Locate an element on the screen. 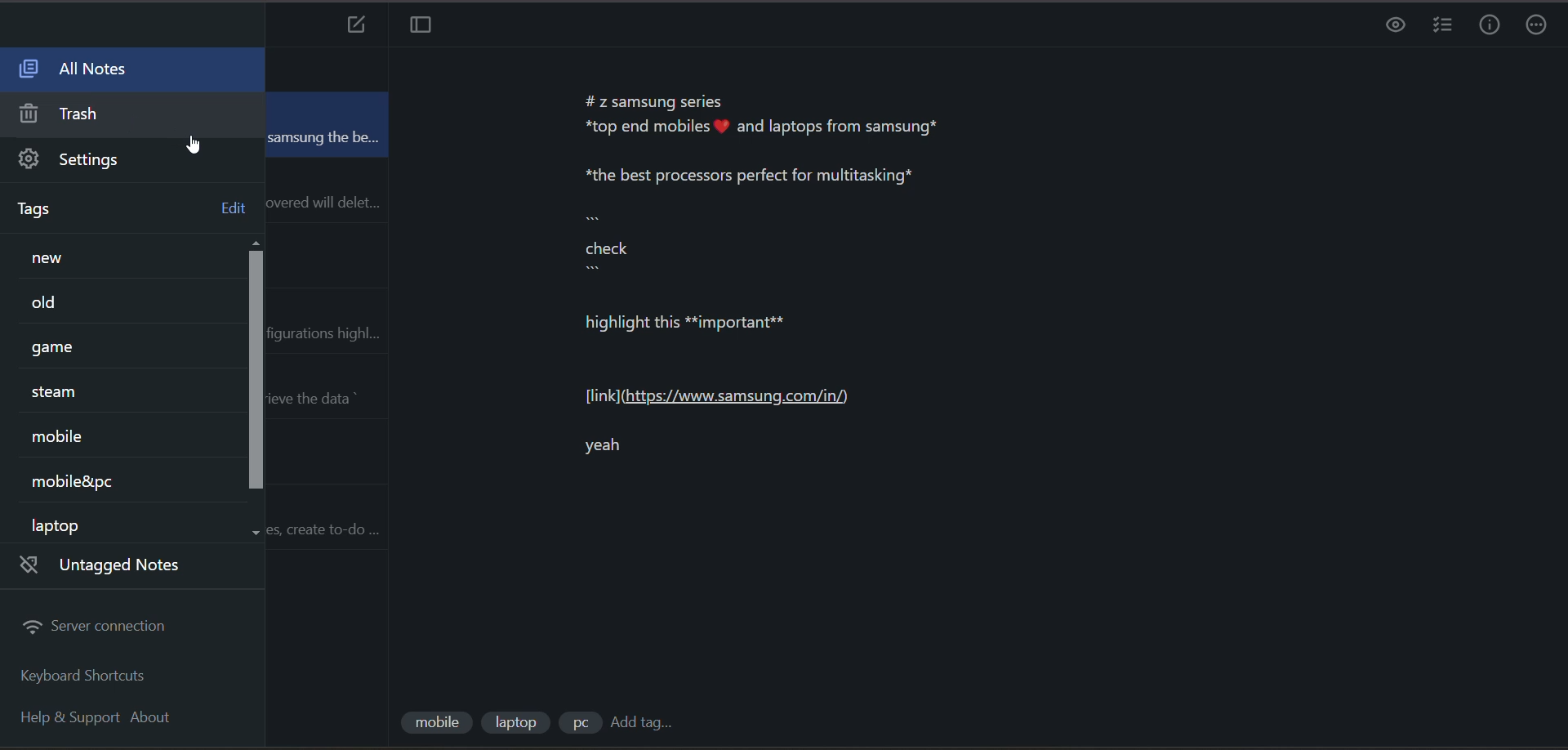 The height and width of the screenshot is (750, 1568). tag 7 is located at coordinates (73, 526).